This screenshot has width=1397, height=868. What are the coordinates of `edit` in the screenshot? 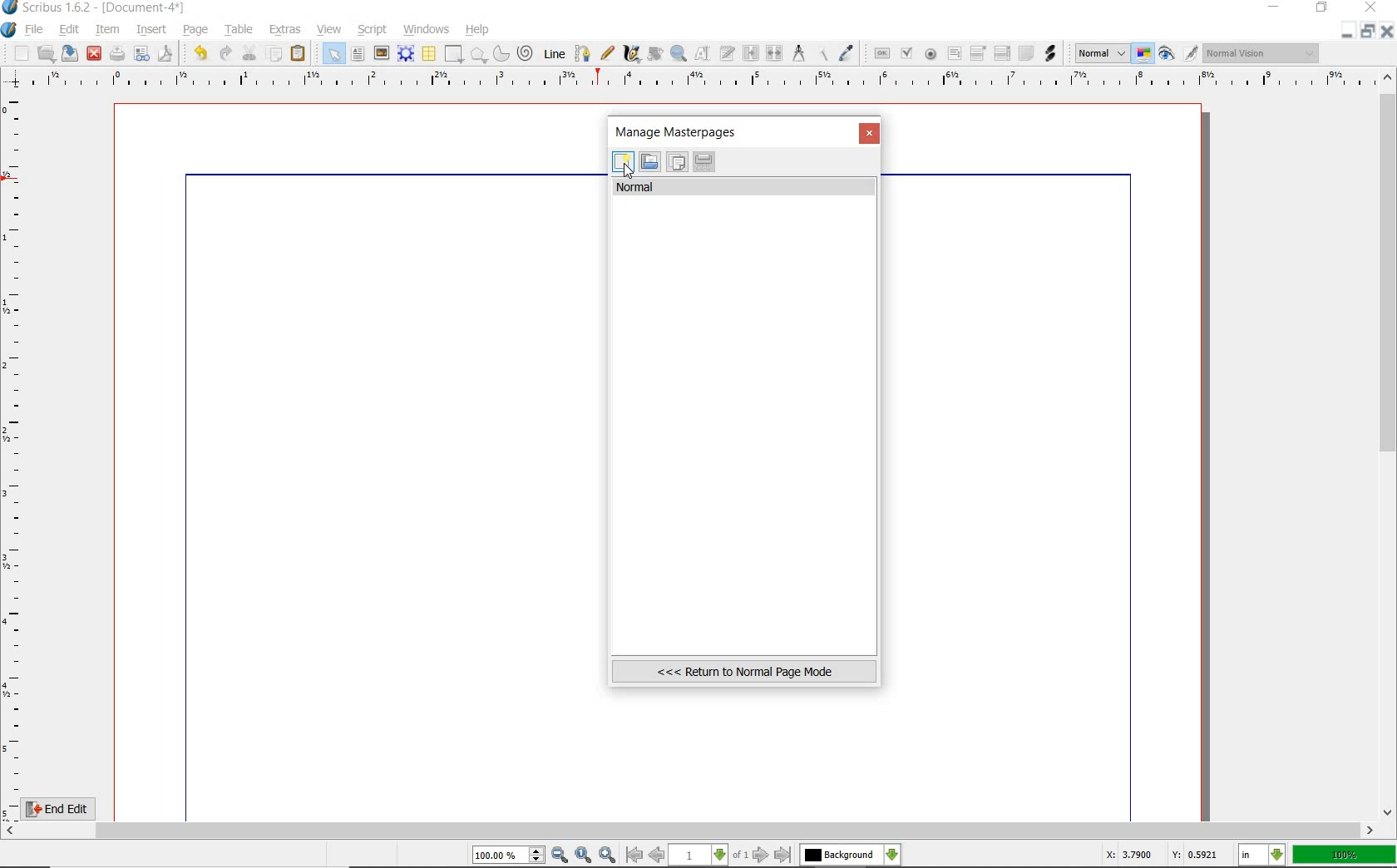 It's located at (67, 31).